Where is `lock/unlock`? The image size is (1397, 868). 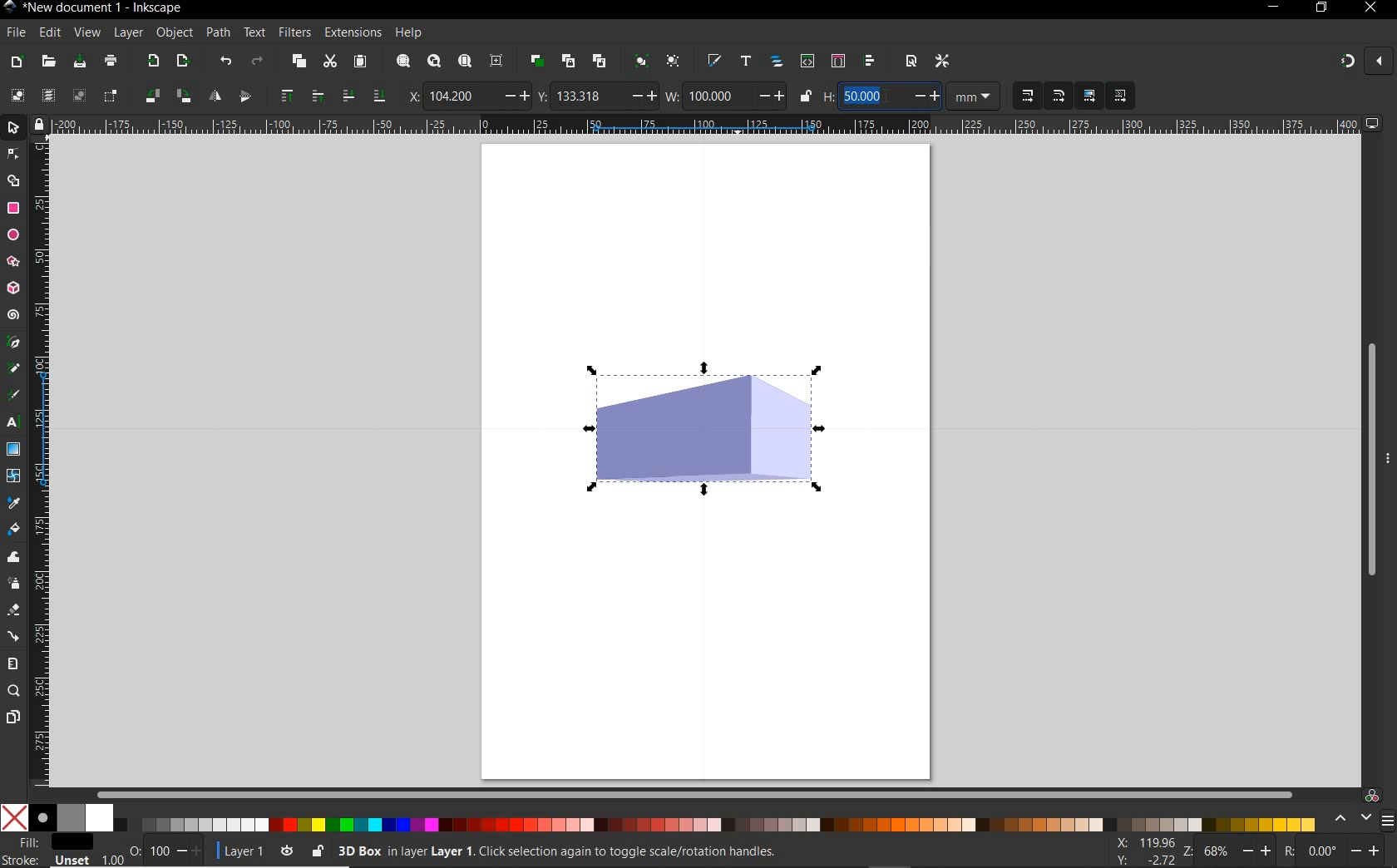 lock/unlock is located at coordinates (316, 849).